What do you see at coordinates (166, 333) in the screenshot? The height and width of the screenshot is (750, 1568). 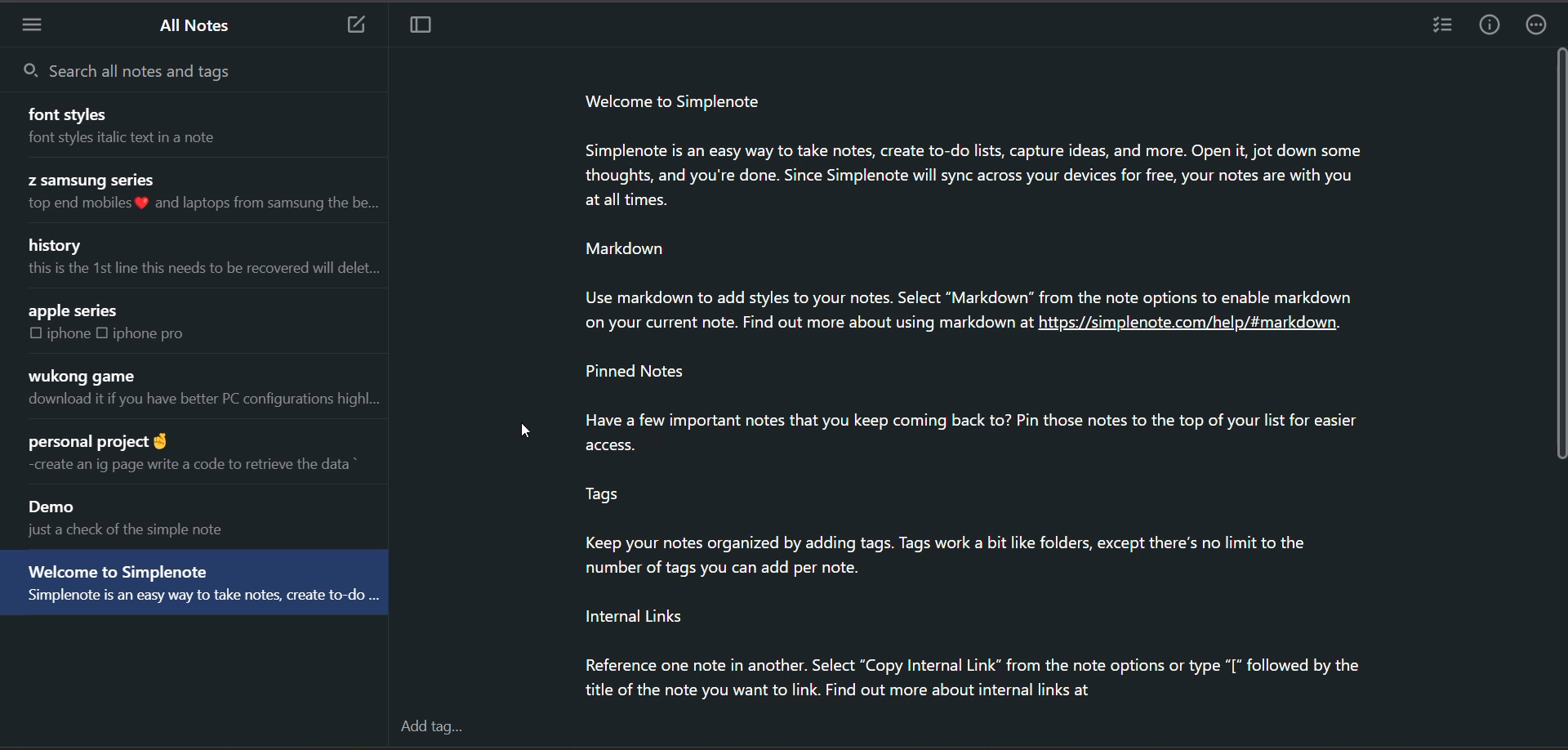 I see `iphone pro` at bounding box center [166, 333].